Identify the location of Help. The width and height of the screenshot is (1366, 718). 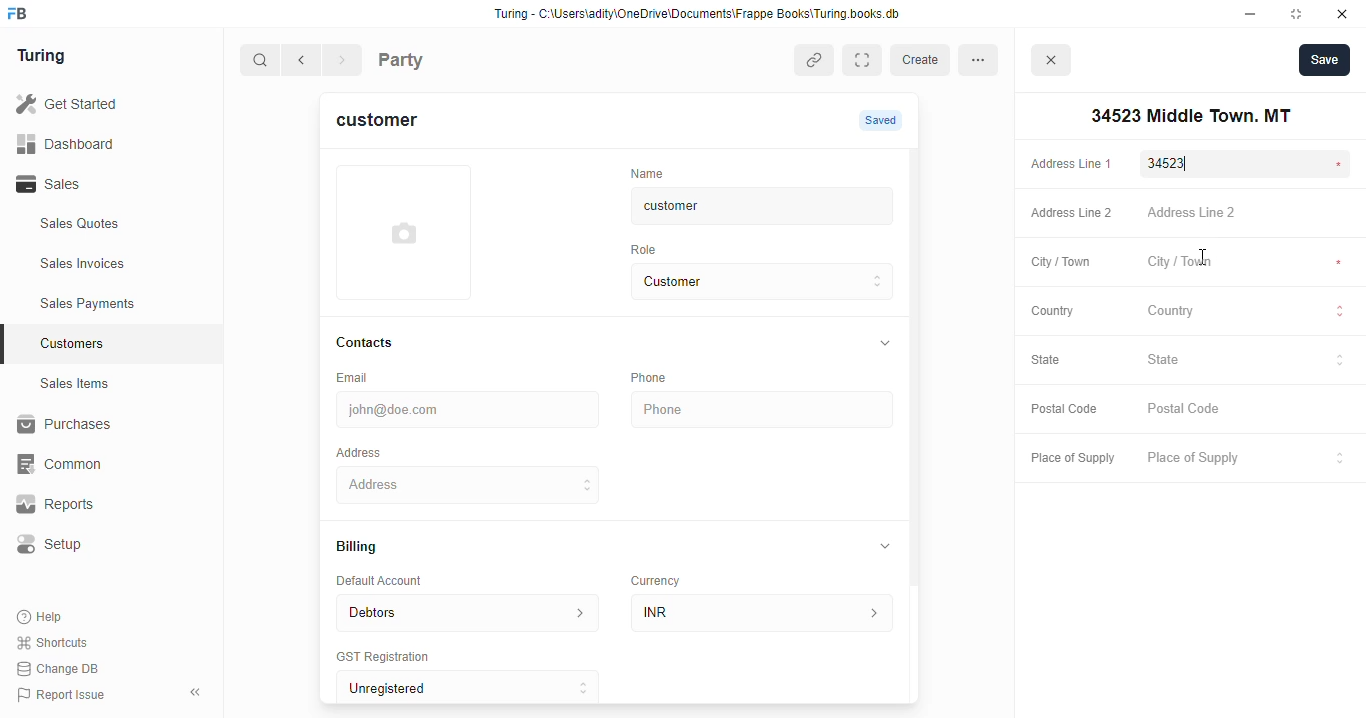
(42, 618).